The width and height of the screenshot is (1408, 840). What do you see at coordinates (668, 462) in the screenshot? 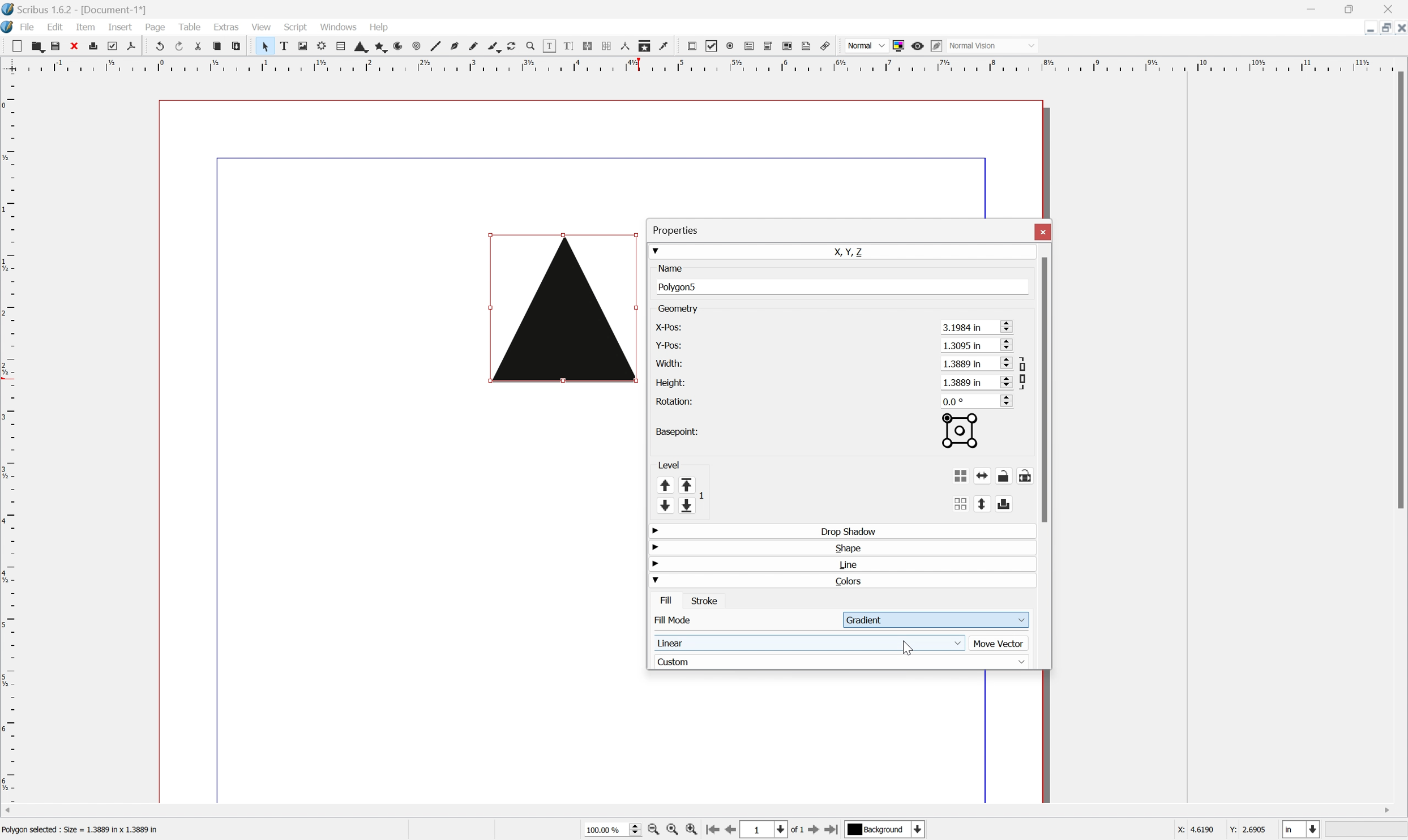
I see `Level` at bounding box center [668, 462].